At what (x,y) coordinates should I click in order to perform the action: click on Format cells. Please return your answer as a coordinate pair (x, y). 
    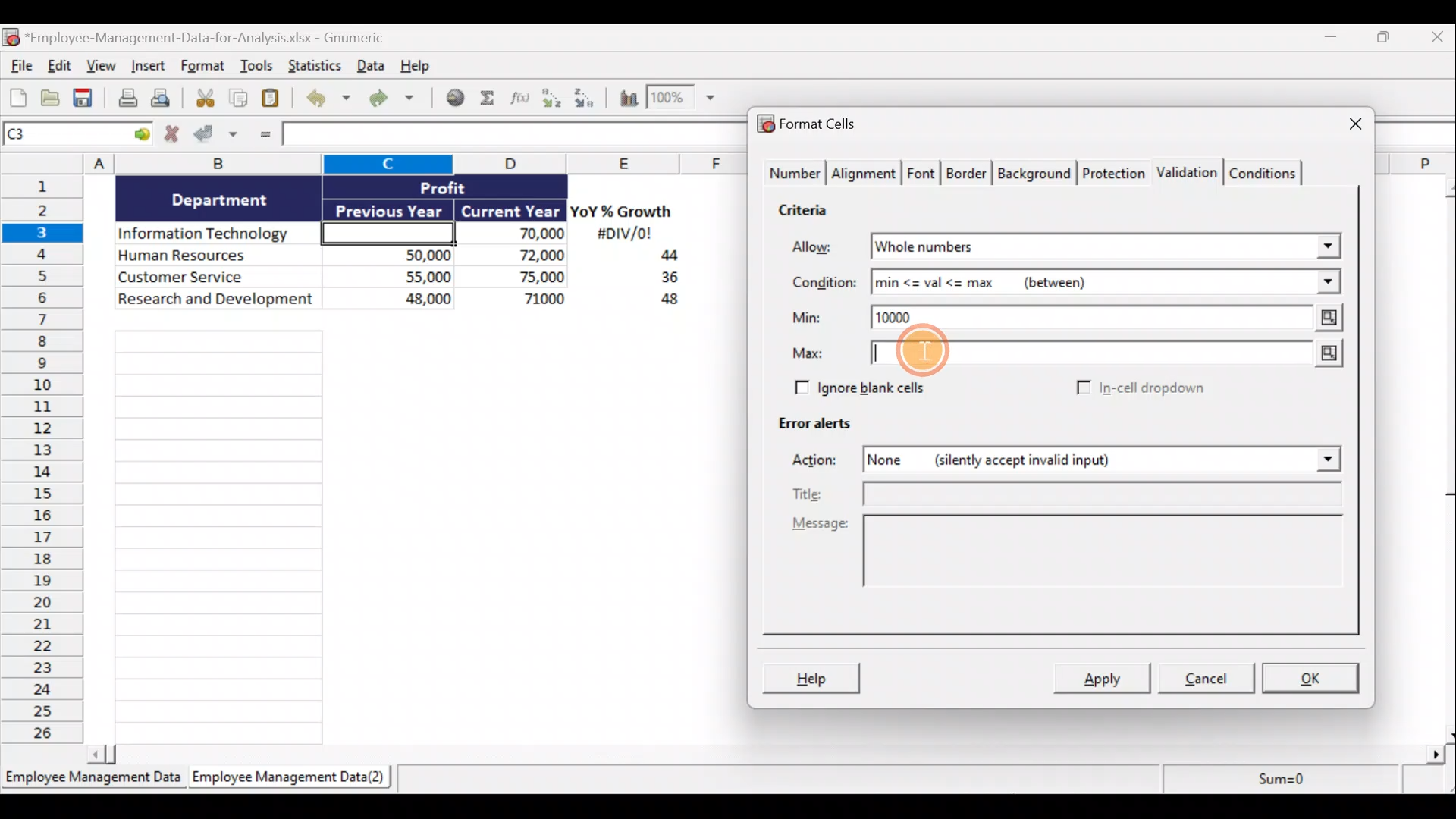
    Looking at the image, I should click on (811, 126).